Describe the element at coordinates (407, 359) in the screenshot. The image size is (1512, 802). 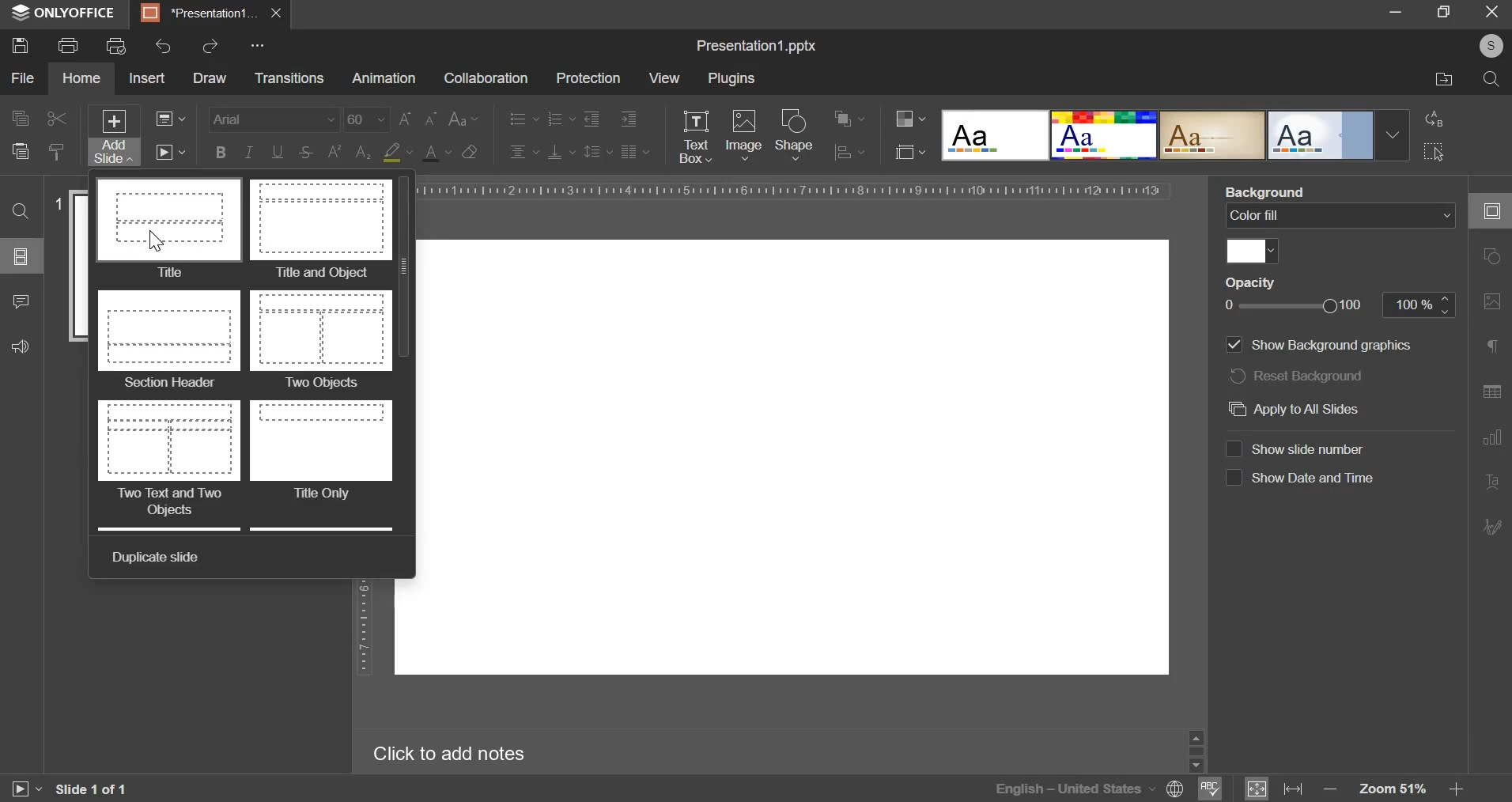
I see `scroll bar` at that location.